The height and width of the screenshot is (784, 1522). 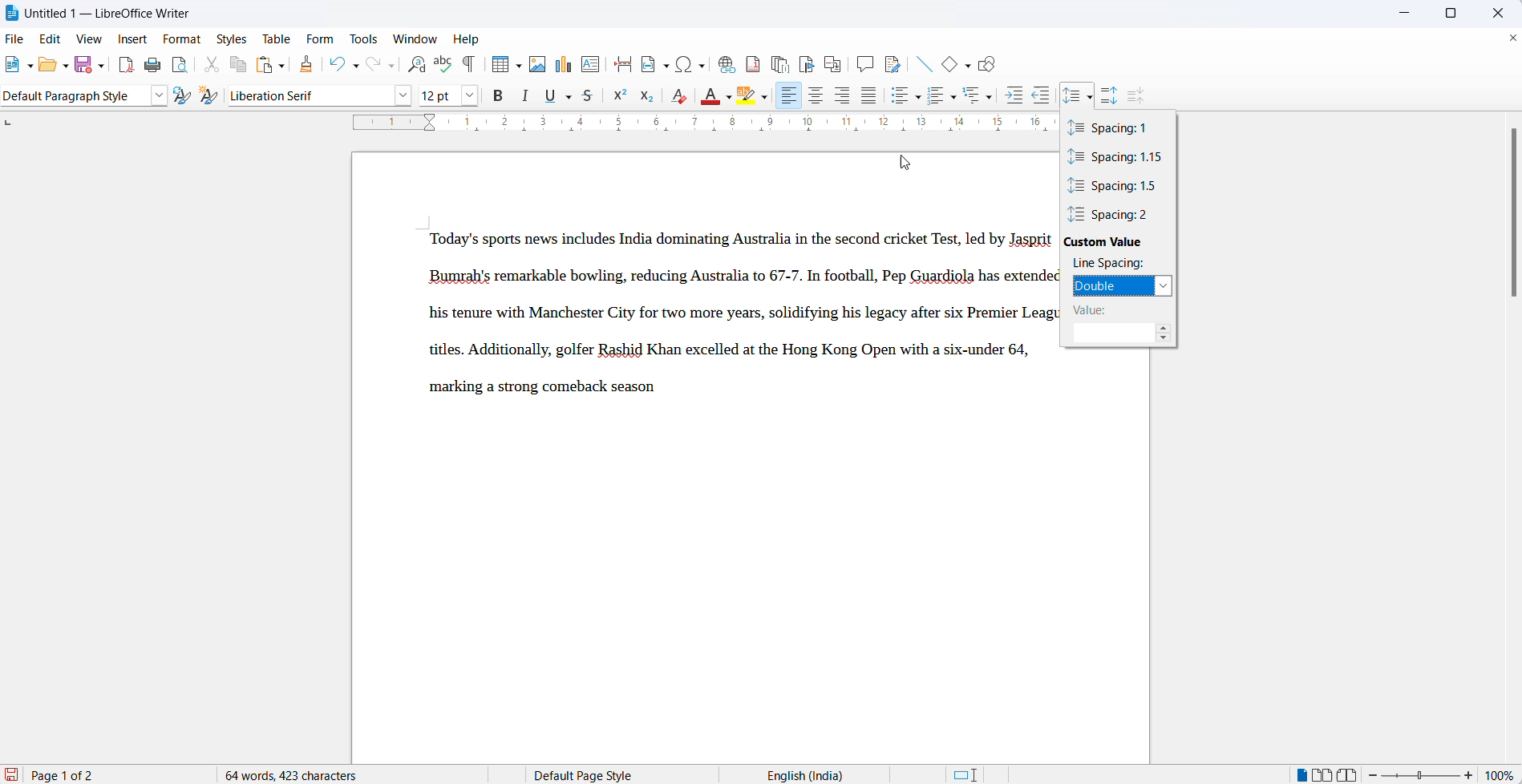 I want to click on value, so click(x=1116, y=310).